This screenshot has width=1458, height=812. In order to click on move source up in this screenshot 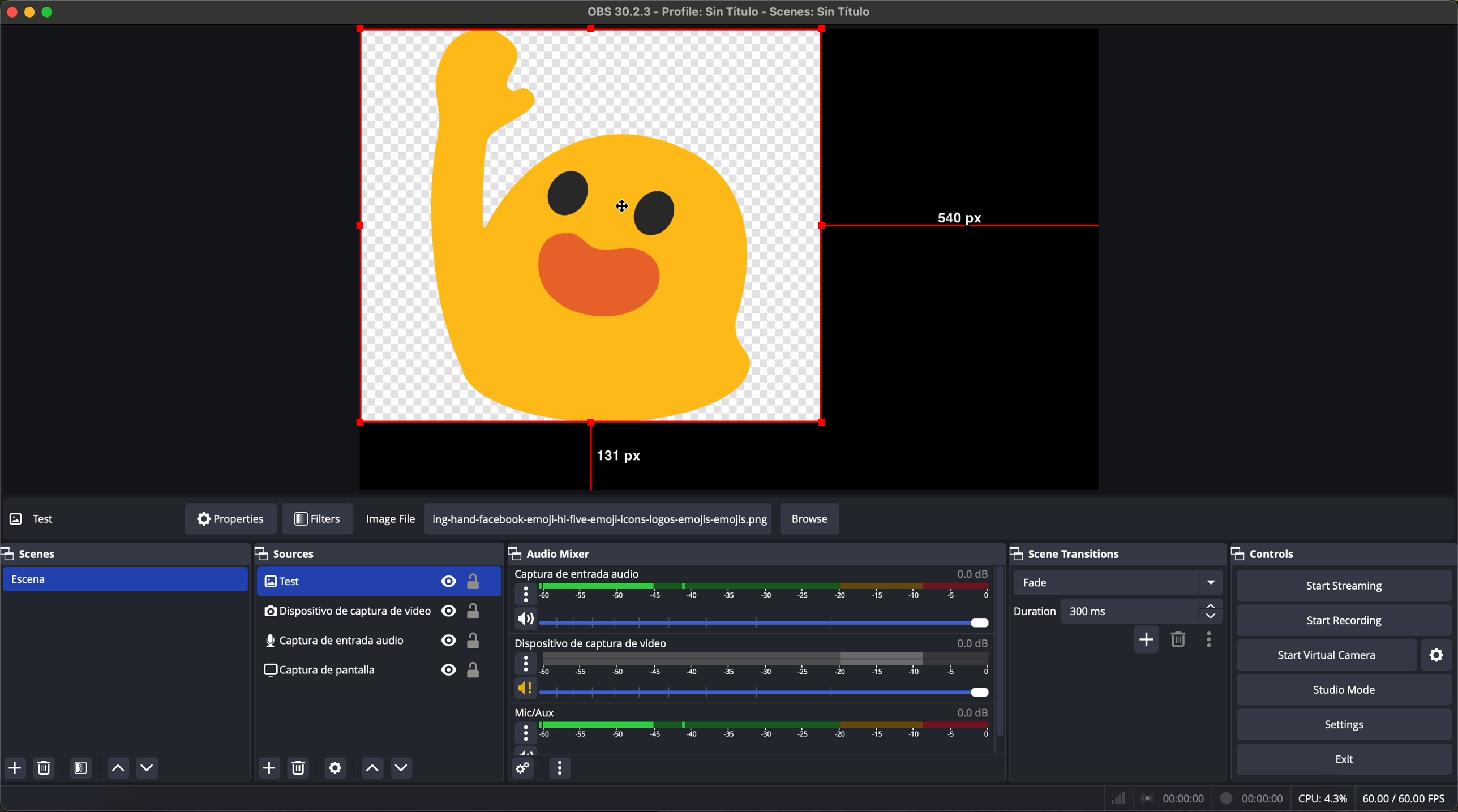, I will do `click(372, 768)`.